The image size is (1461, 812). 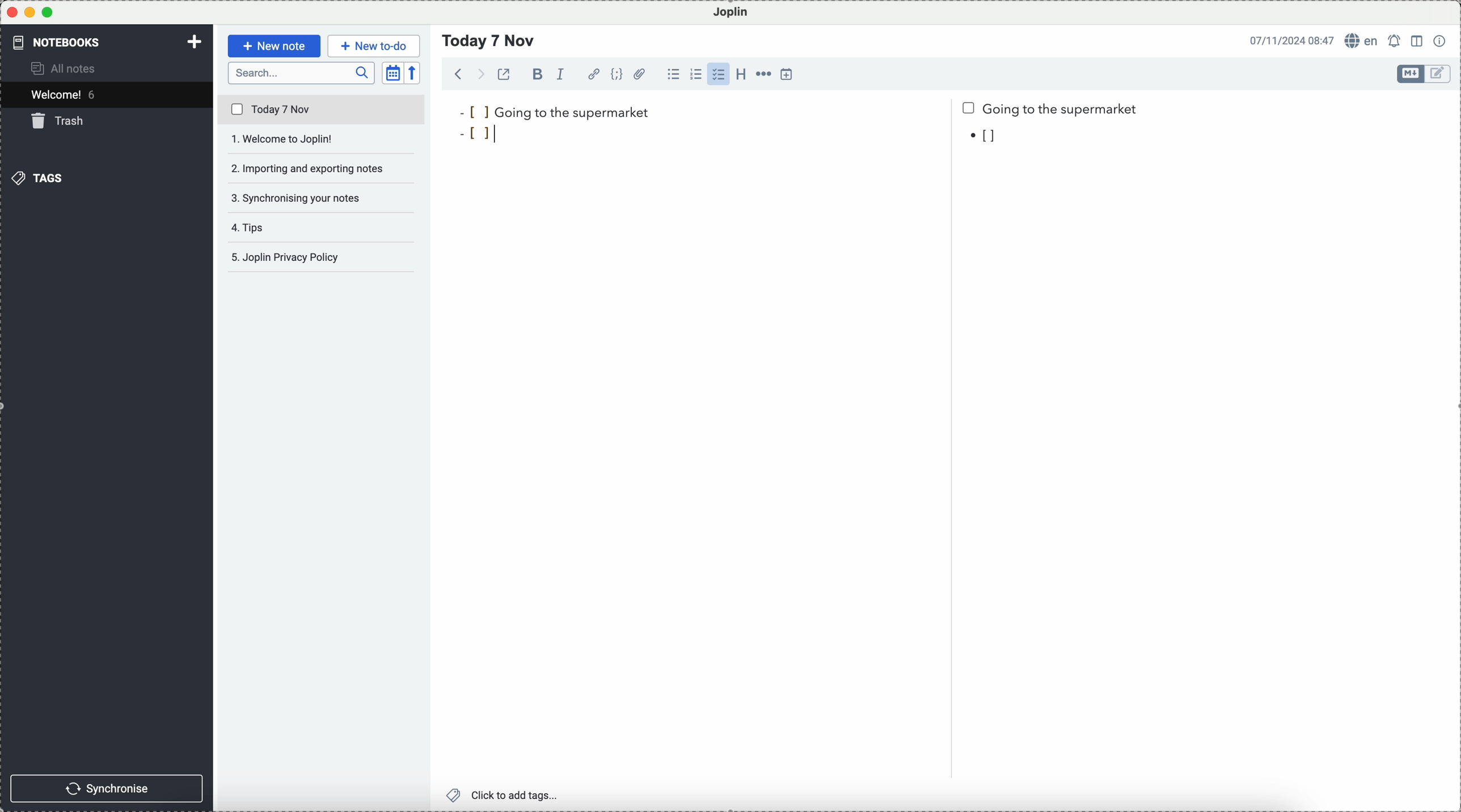 What do you see at coordinates (480, 136) in the screenshot?
I see `bullet point for new task` at bounding box center [480, 136].